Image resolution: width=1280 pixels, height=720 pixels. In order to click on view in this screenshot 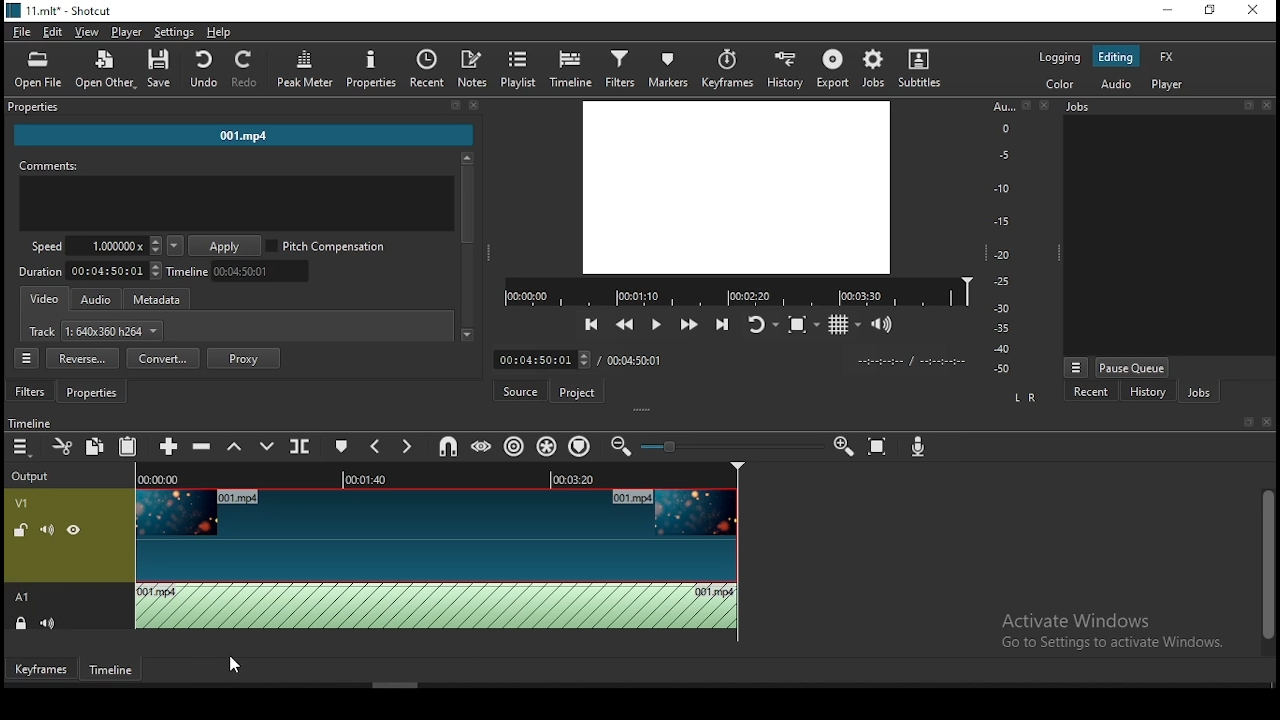, I will do `click(87, 32)`.